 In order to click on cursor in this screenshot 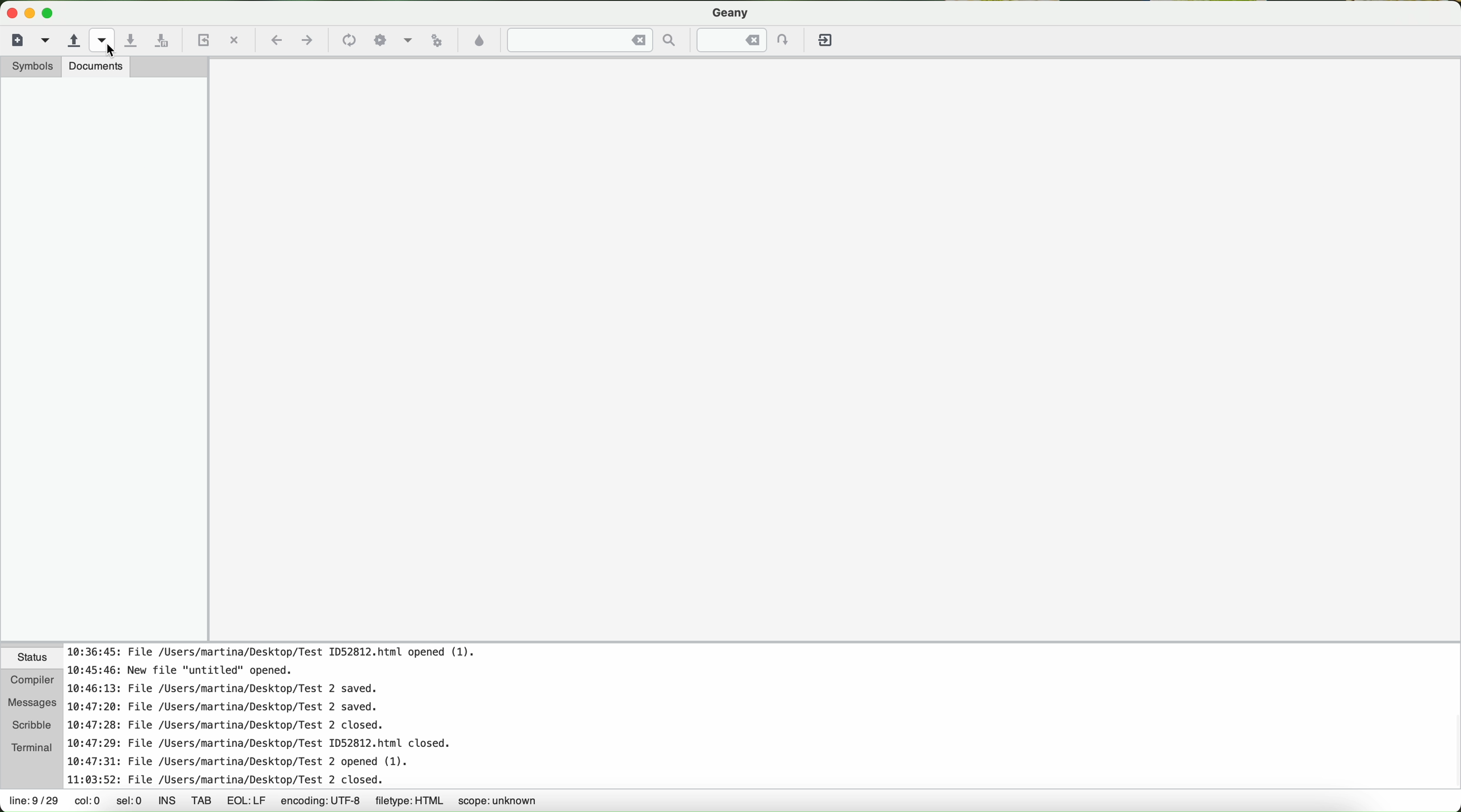, I will do `click(109, 52)`.